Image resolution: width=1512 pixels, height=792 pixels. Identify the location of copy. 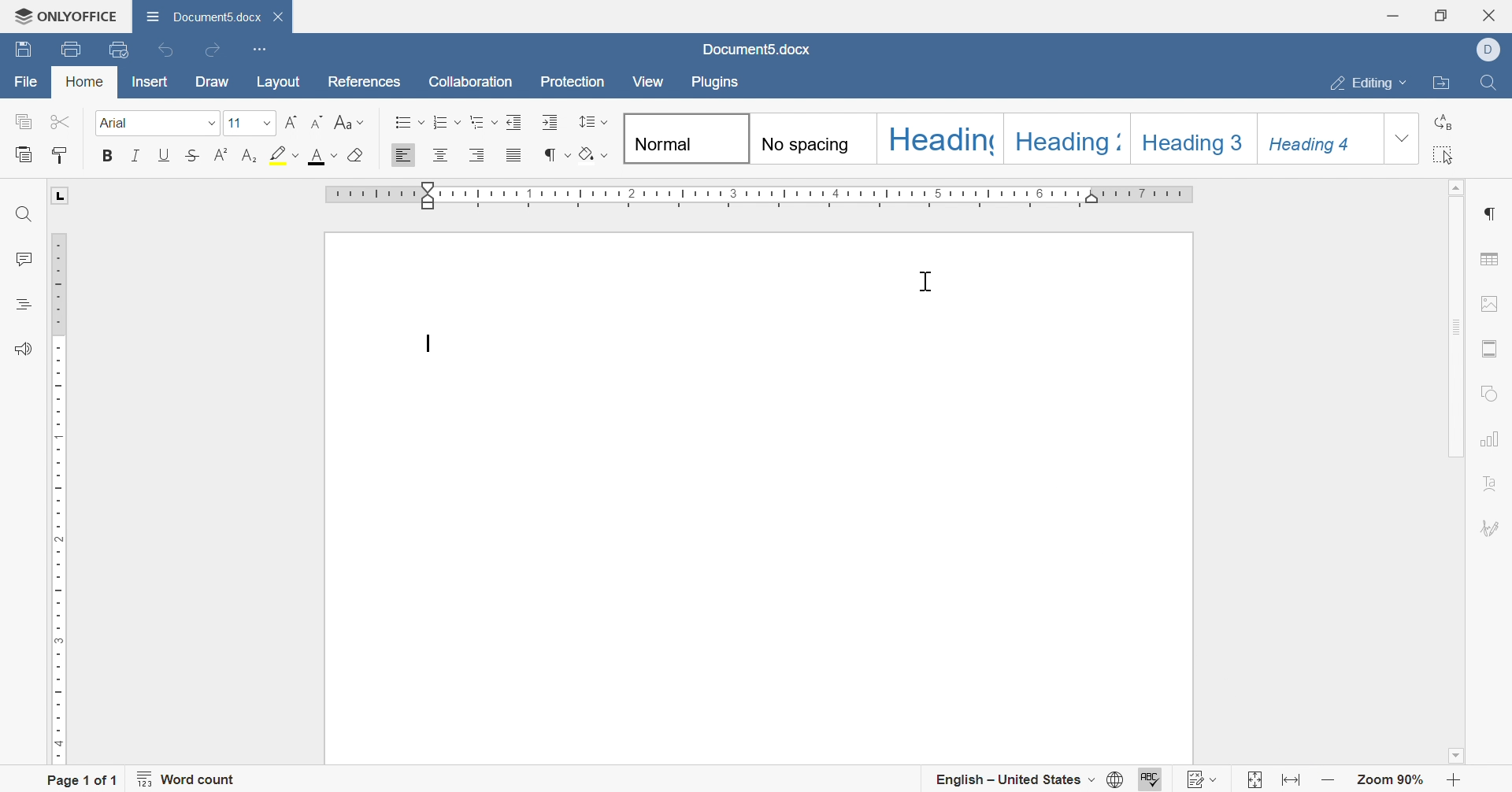
(26, 121).